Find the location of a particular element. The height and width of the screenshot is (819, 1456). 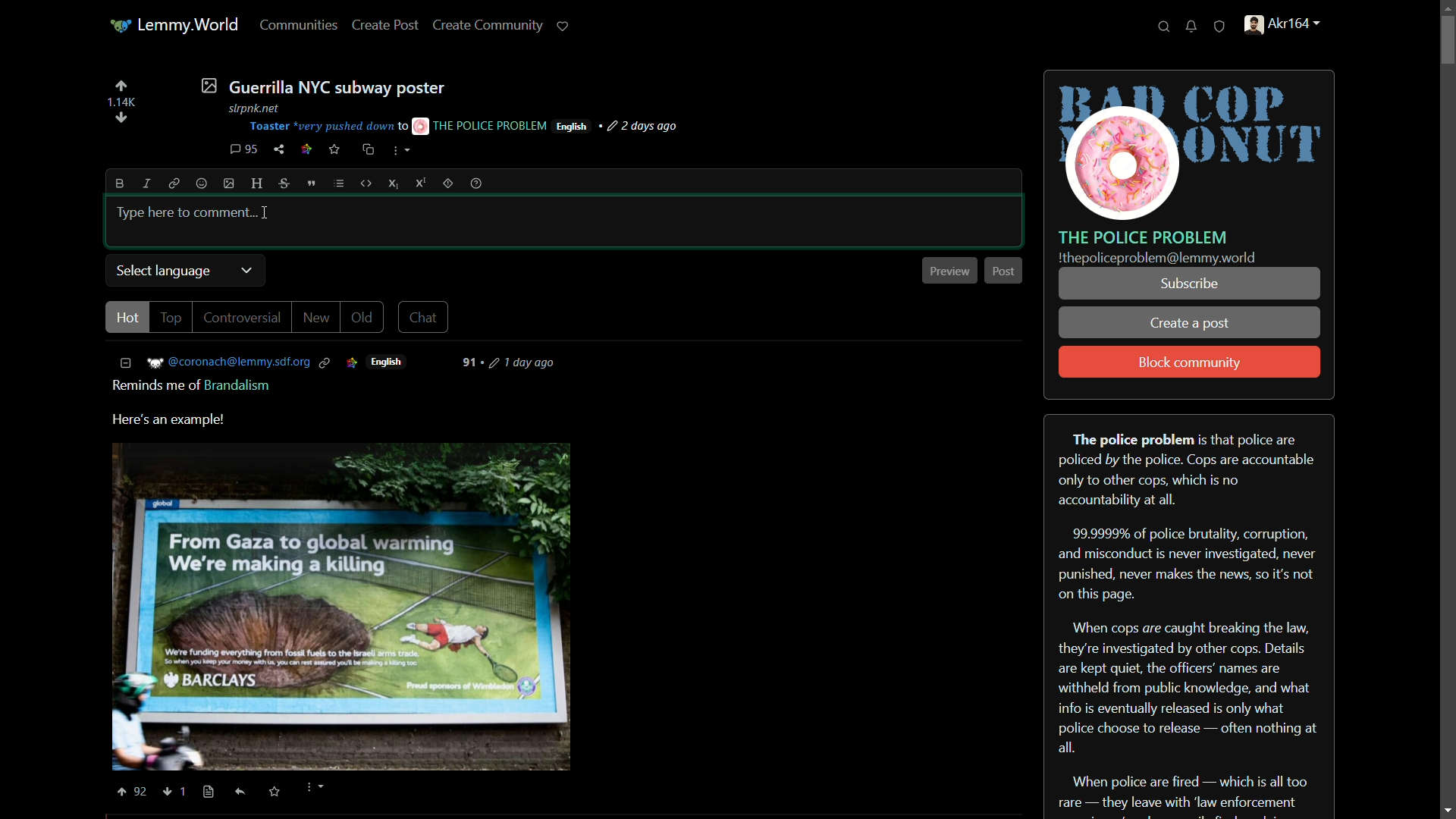

superscript is located at coordinates (421, 183).